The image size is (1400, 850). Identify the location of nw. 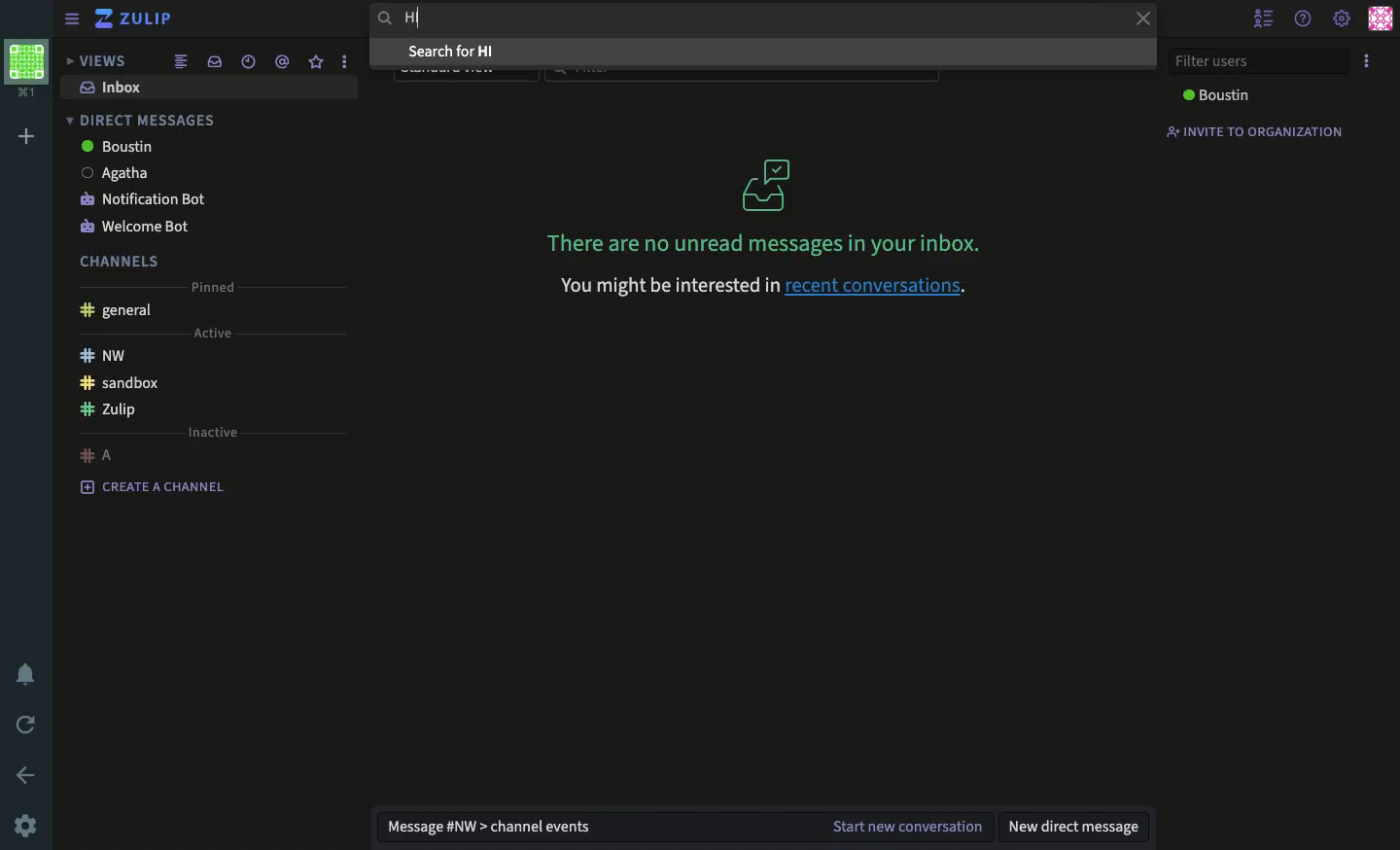
(105, 358).